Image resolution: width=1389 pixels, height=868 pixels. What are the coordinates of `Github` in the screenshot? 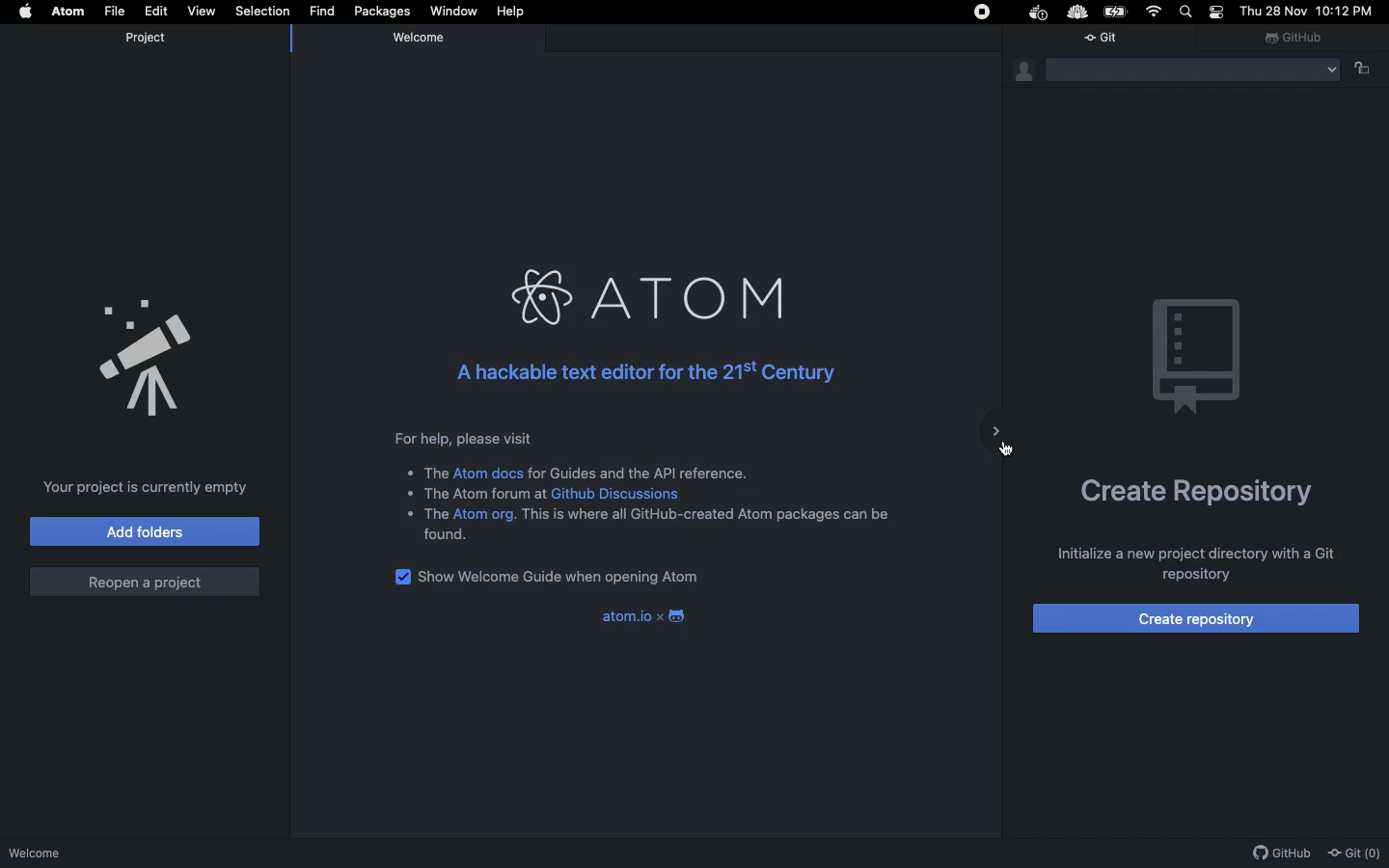 It's located at (1281, 854).